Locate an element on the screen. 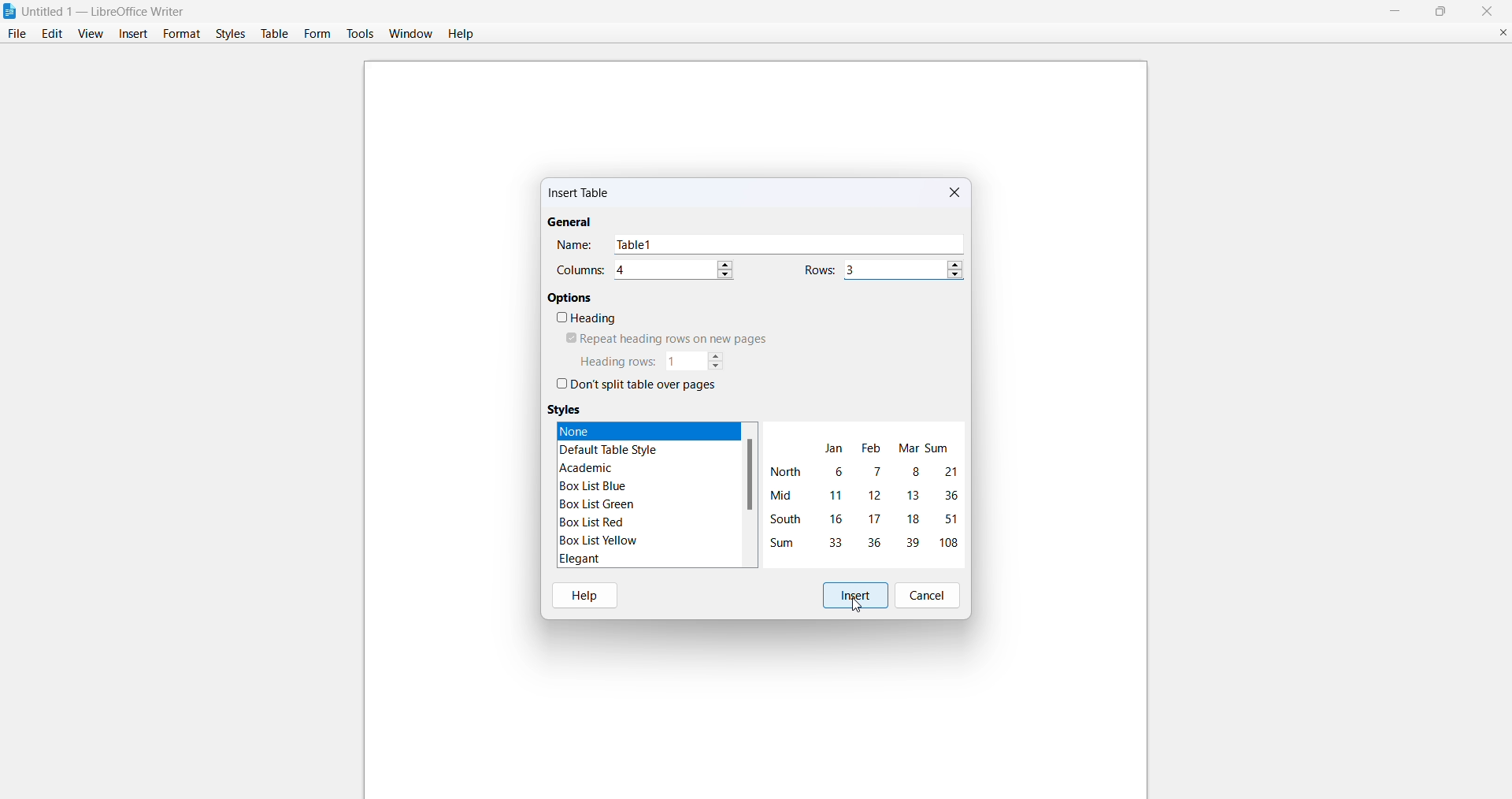 This screenshot has width=1512, height=799. general is located at coordinates (569, 223).